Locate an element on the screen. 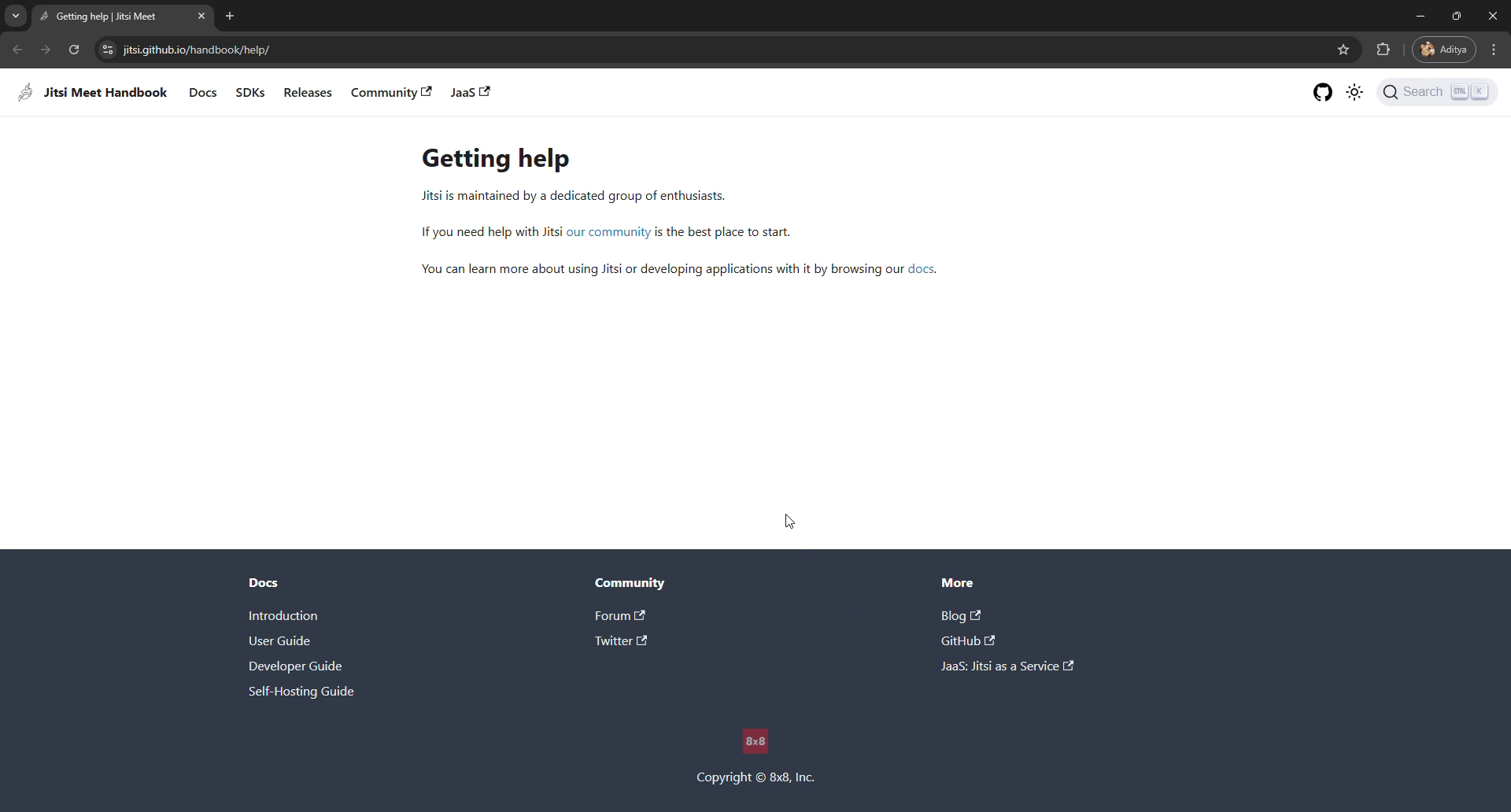  guide is located at coordinates (302, 693).